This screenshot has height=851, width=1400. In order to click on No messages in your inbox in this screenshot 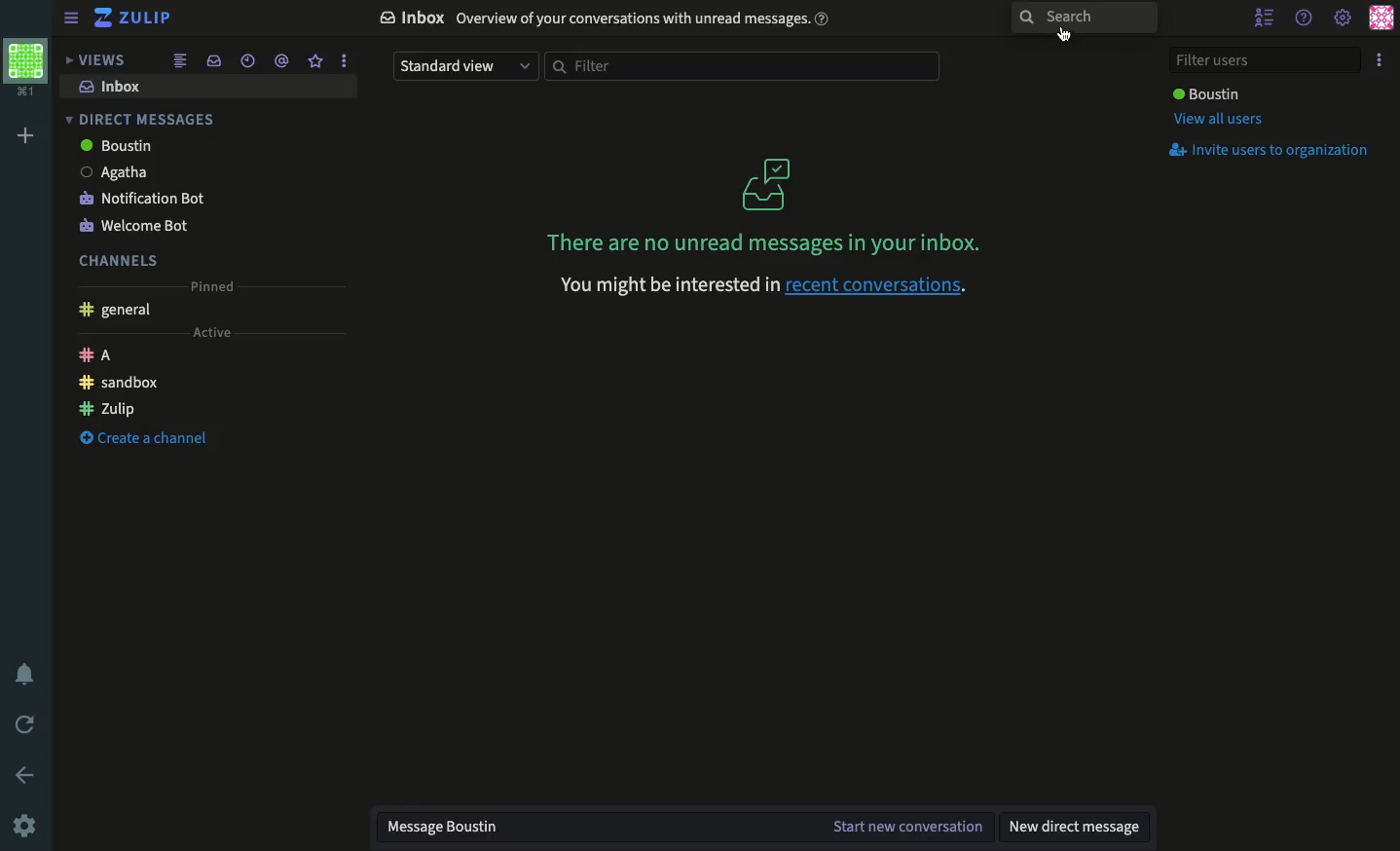, I will do `click(757, 242)`.